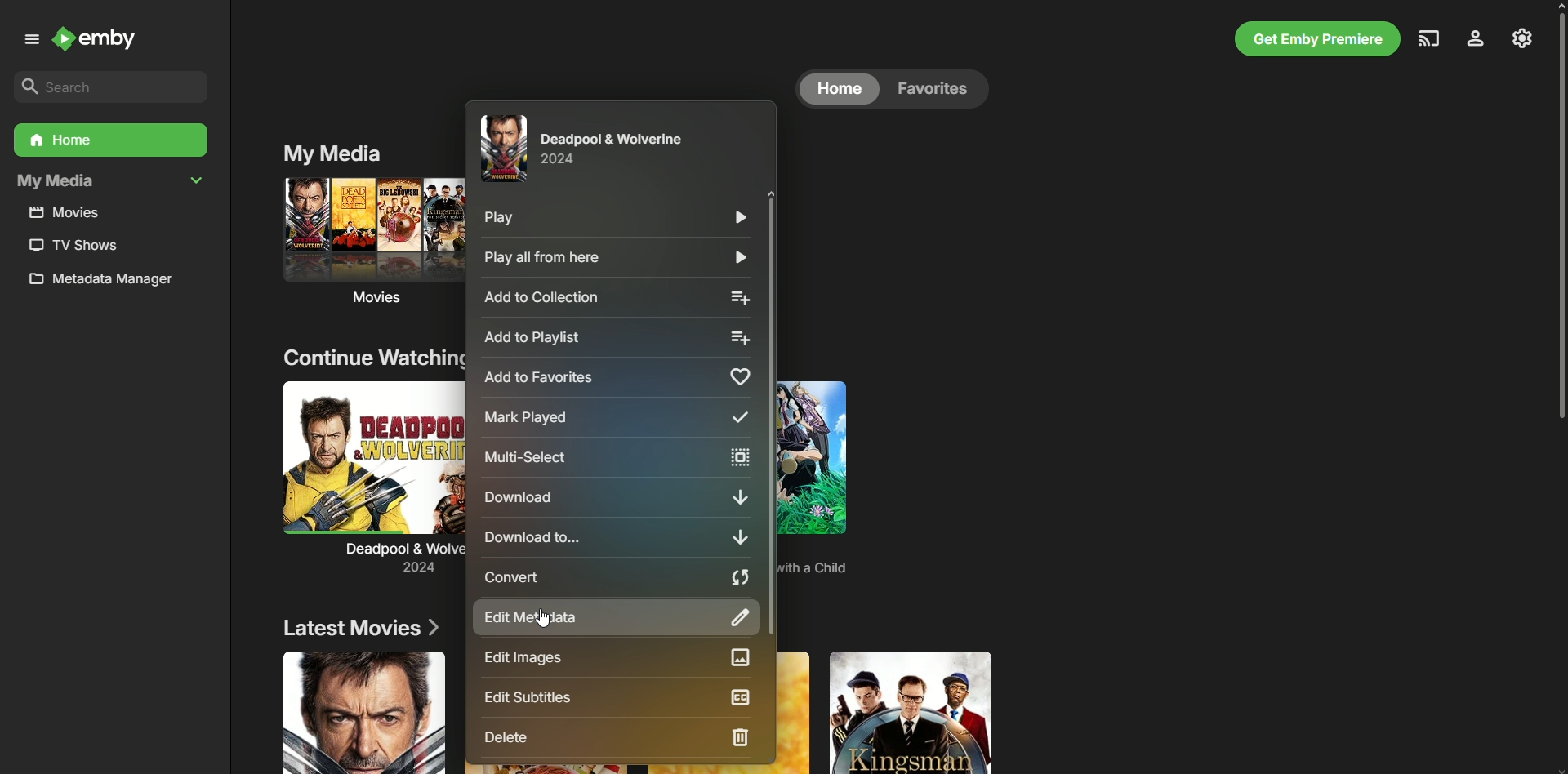 This screenshot has width=1568, height=774. What do you see at coordinates (617, 741) in the screenshot?
I see `Delete` at bounding box center [617, 741].